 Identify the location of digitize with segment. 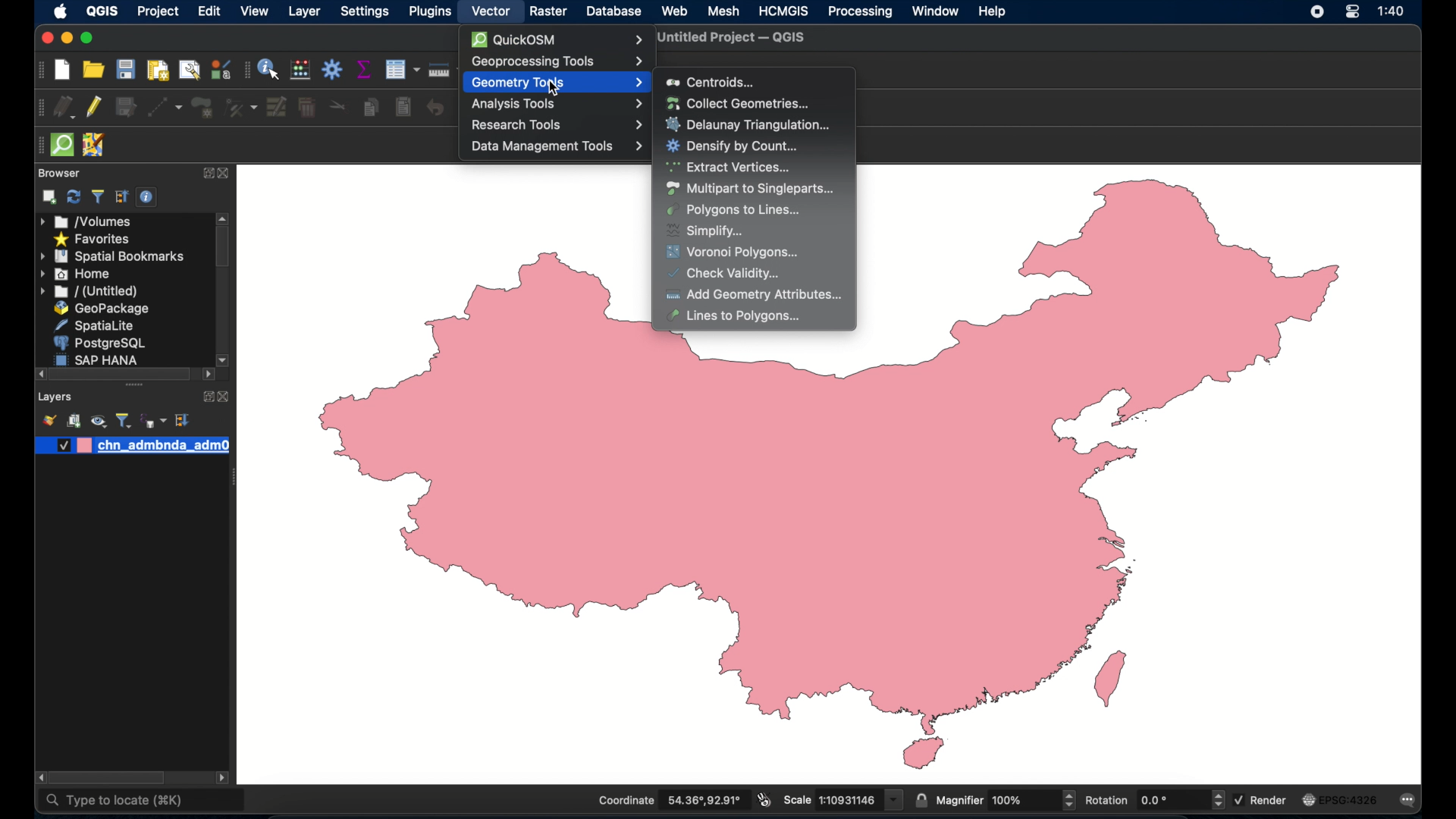
(165, 107).